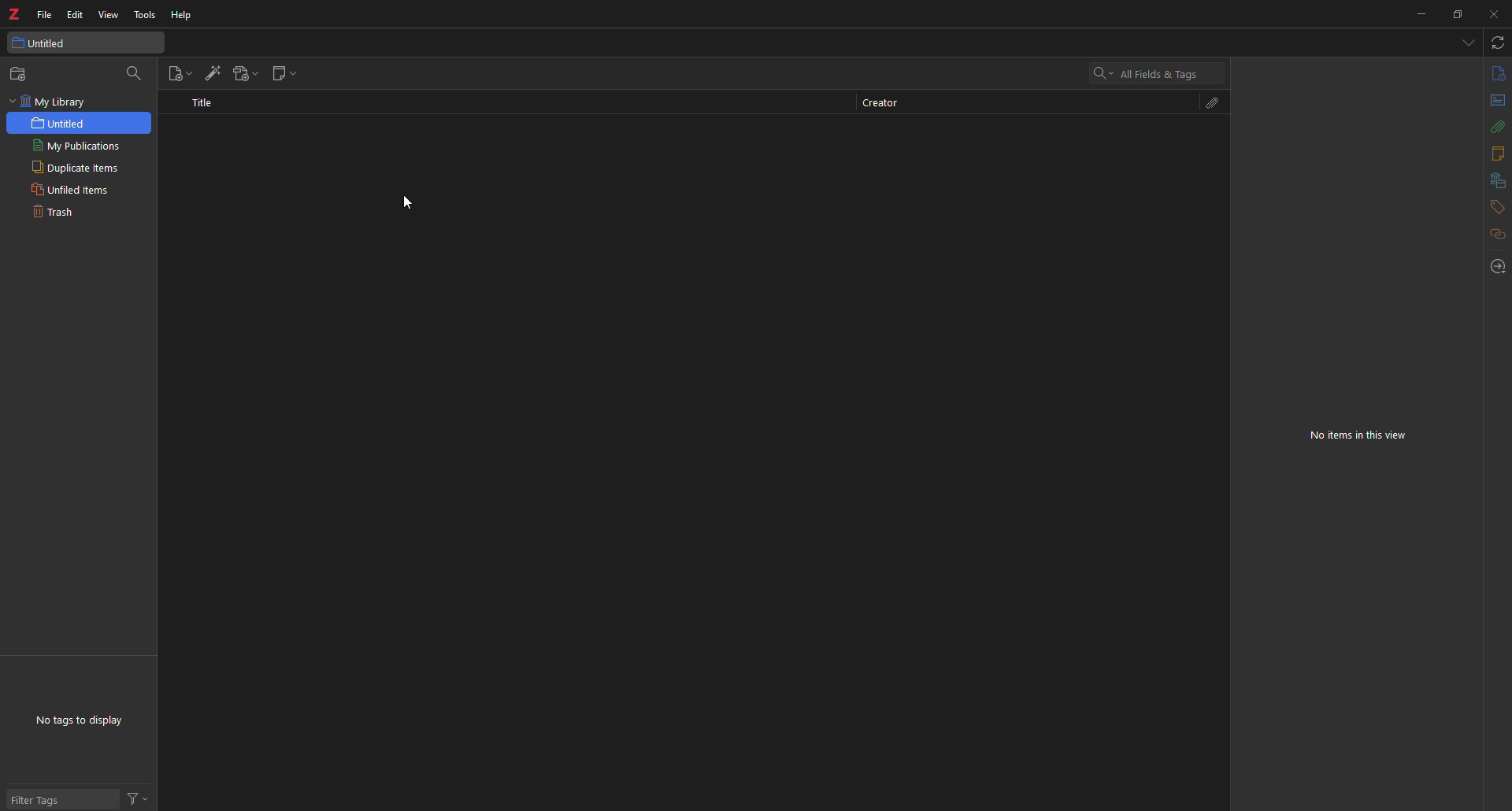  Describe the element at coordinates (210, 104) in the screenshot. I see `title` at that location.